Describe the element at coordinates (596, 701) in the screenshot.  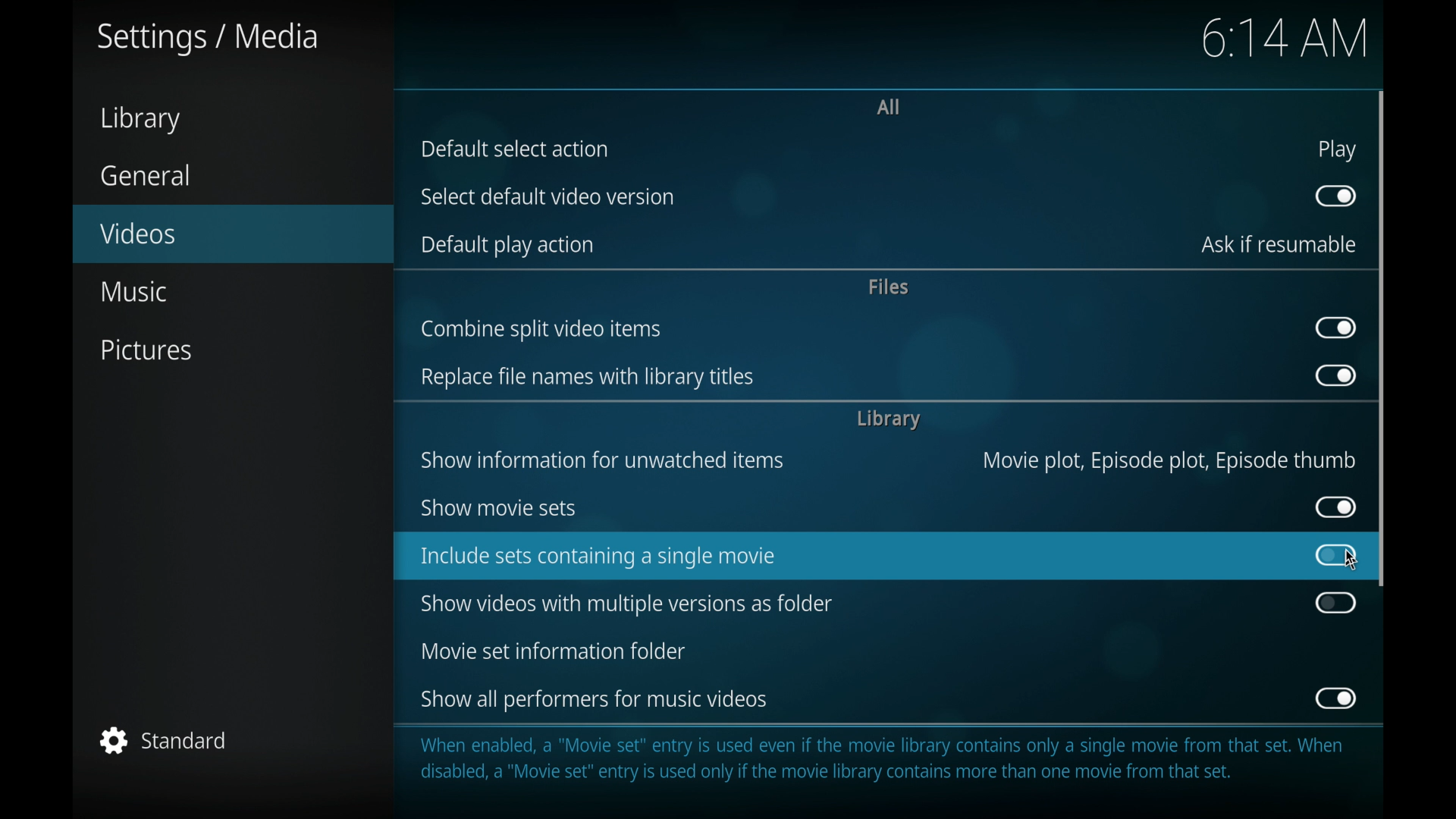
I see `show all performers for music videos` at that location.